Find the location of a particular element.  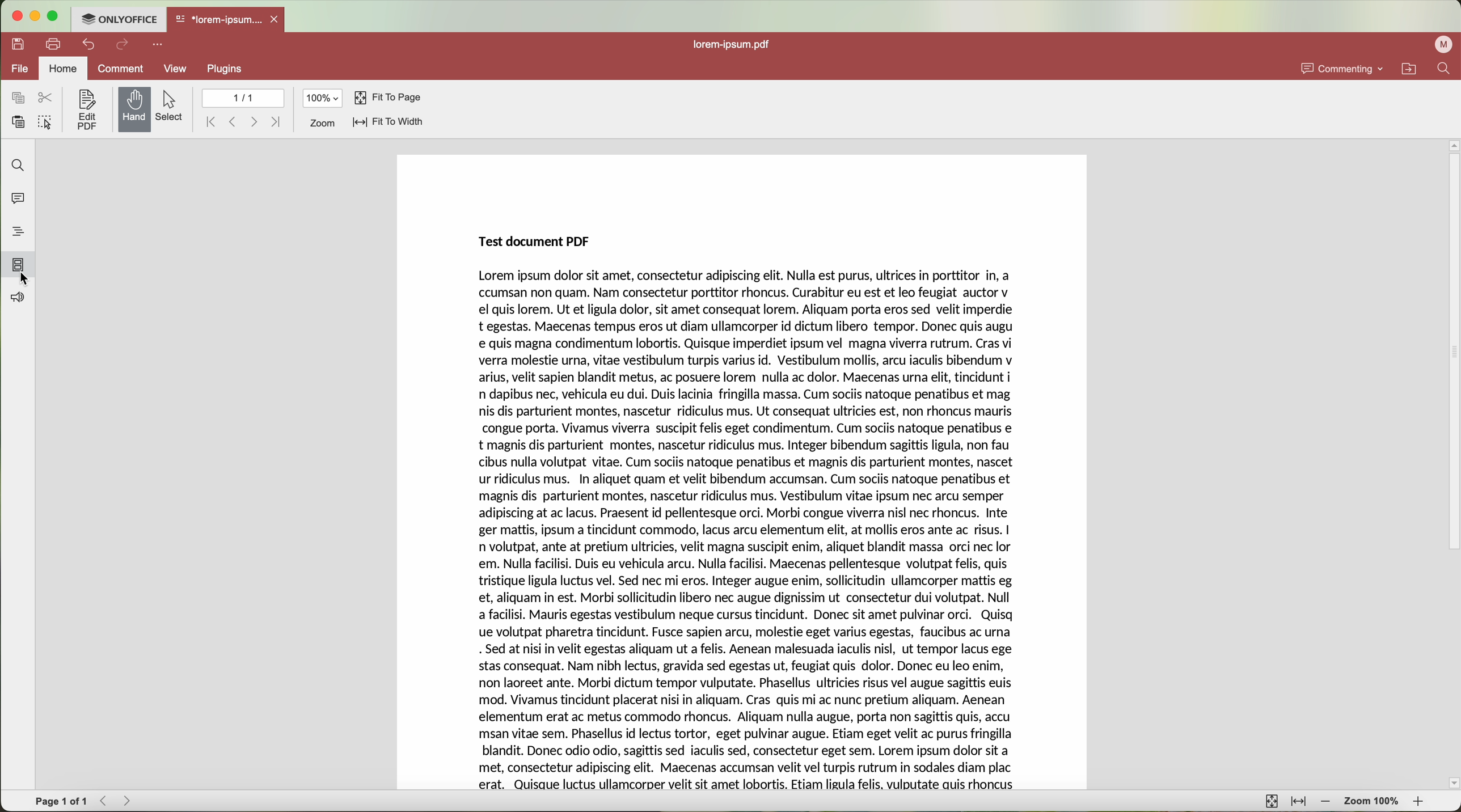

open file location is located at coordinates (1409, 69).